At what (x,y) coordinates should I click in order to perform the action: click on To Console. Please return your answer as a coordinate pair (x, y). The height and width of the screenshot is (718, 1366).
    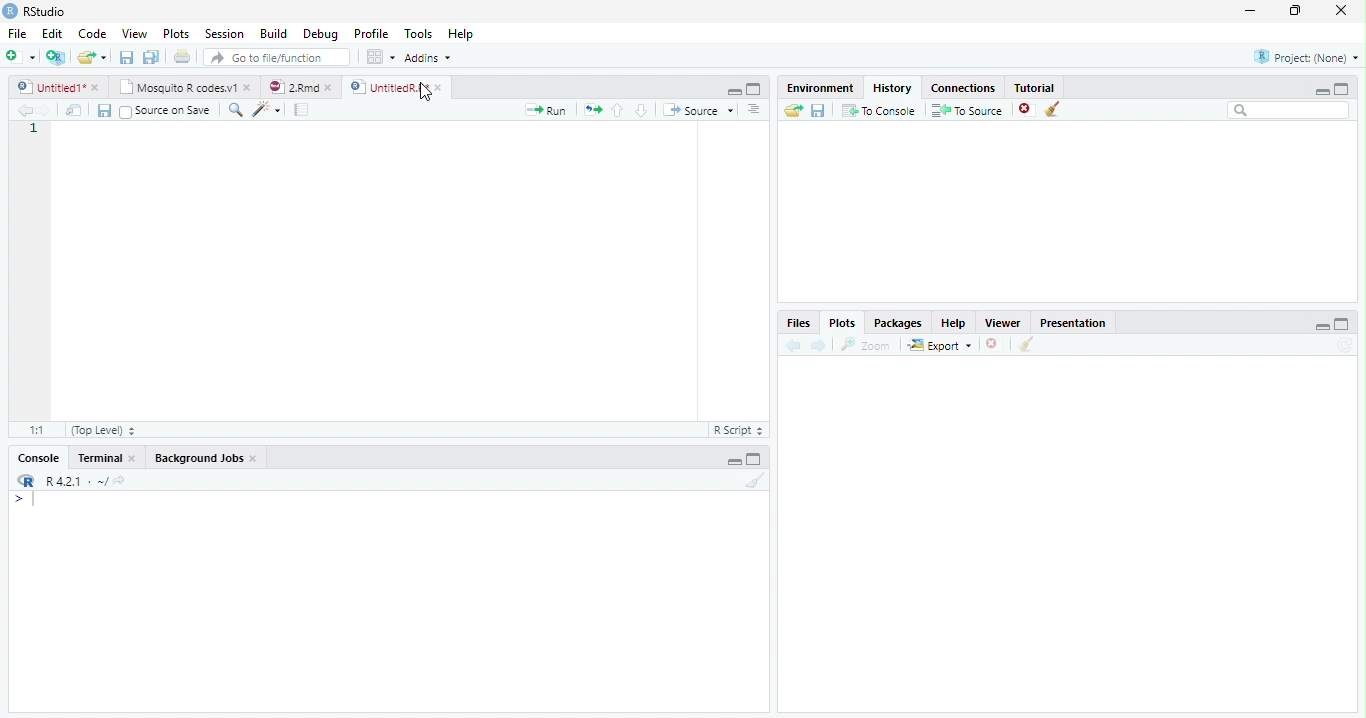
    Looking at the image, I should click on (879, 110).